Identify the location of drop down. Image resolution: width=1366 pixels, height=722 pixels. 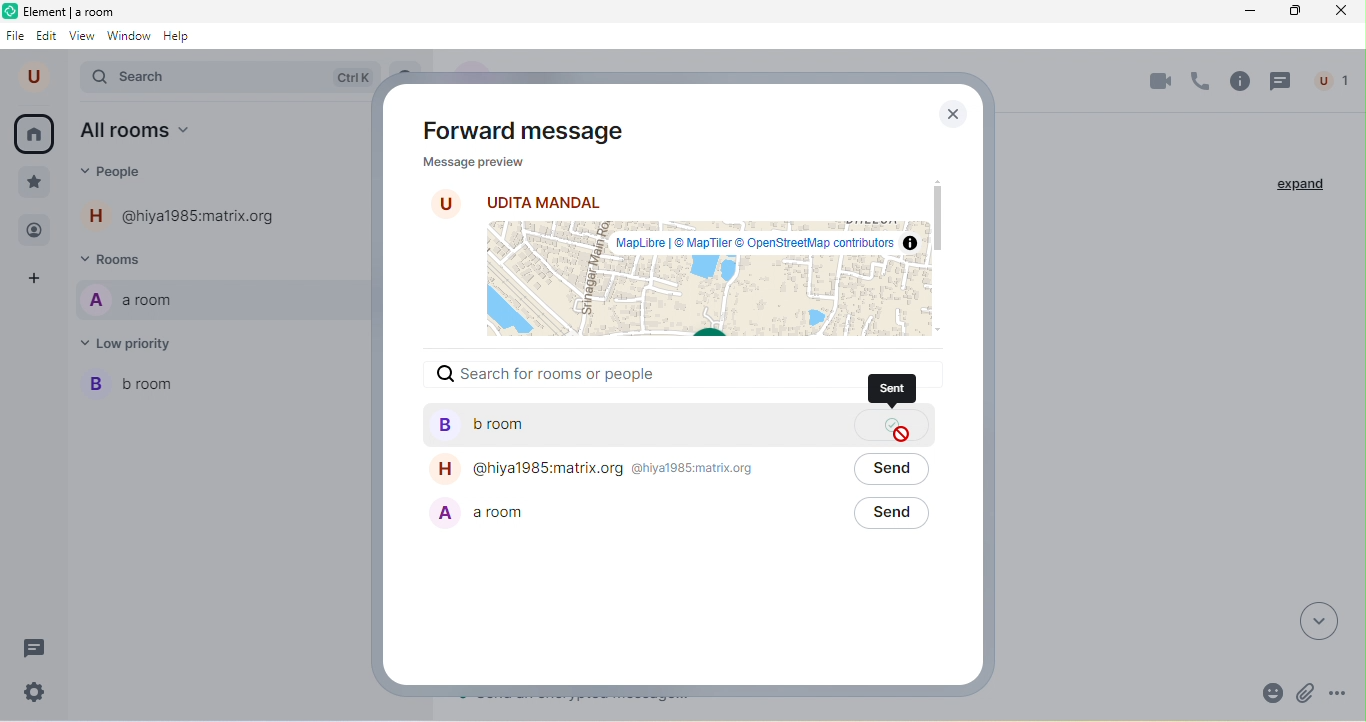
(1318, 623).